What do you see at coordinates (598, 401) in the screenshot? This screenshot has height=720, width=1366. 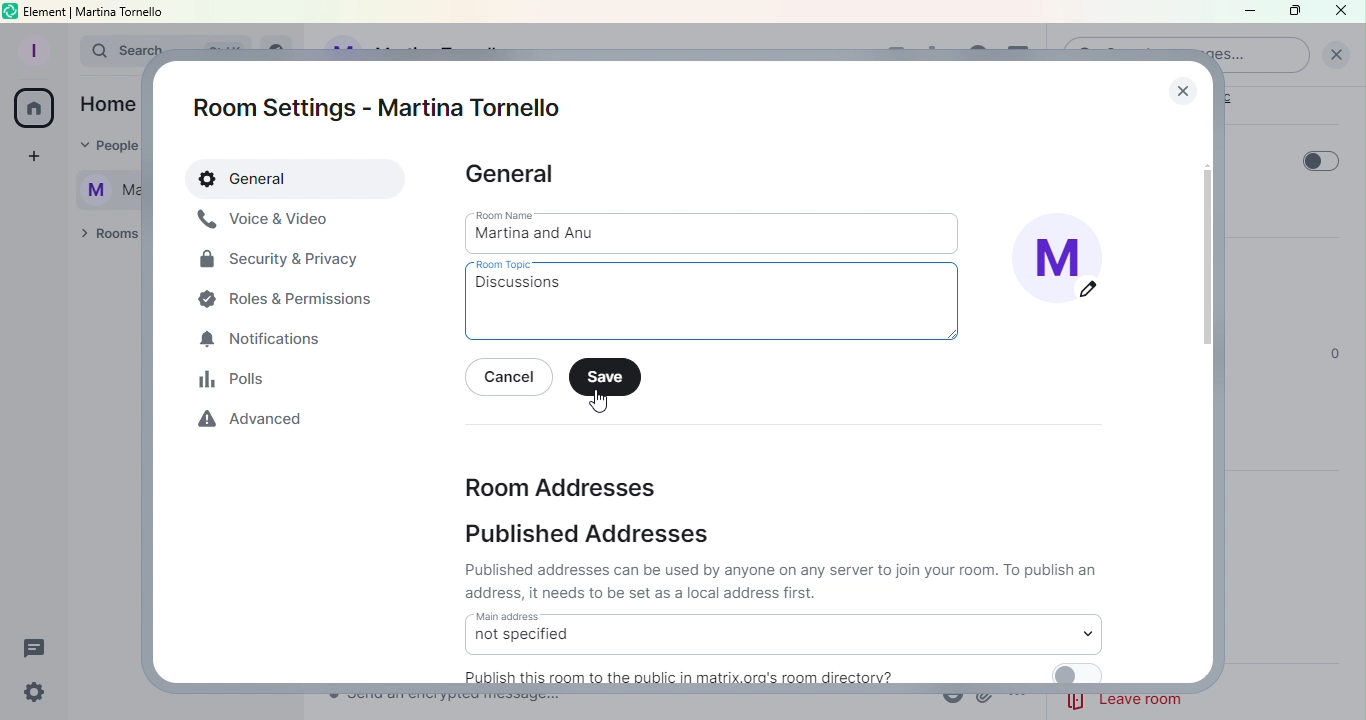 I see `cursor` at bounding box center [598, 401].